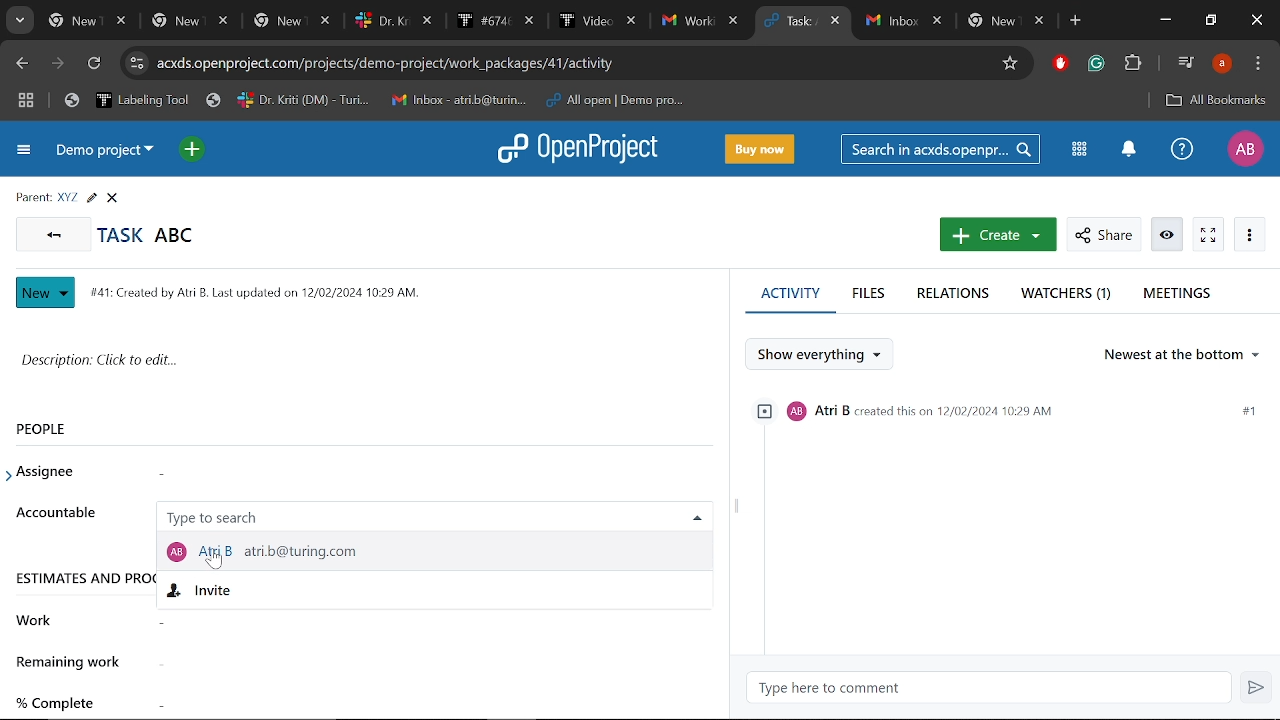  Describe the element at coordinates (1006, 520) in the screenshot. I see `Activity` at that location.